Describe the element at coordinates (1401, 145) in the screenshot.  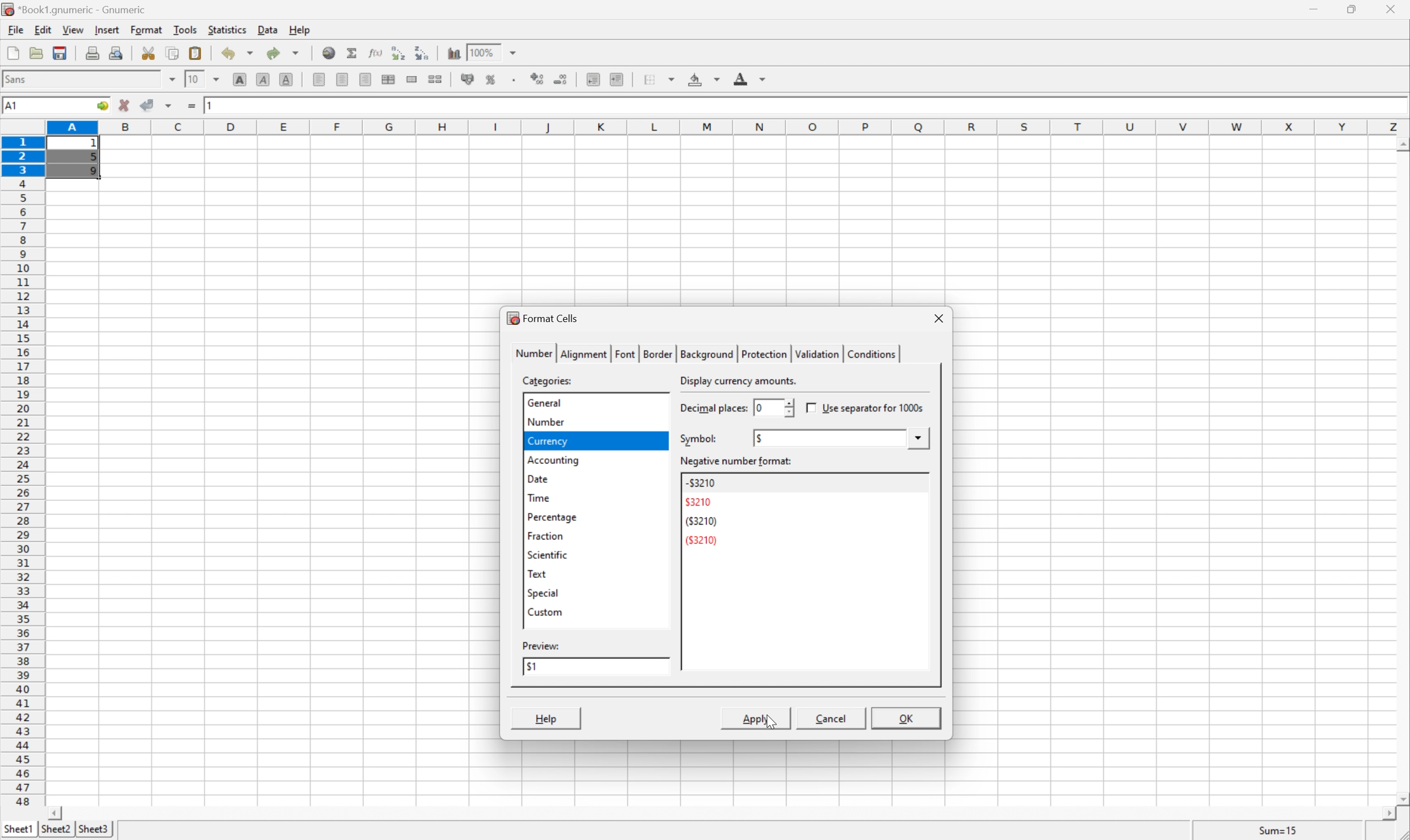
I see `scroll up` at that location.